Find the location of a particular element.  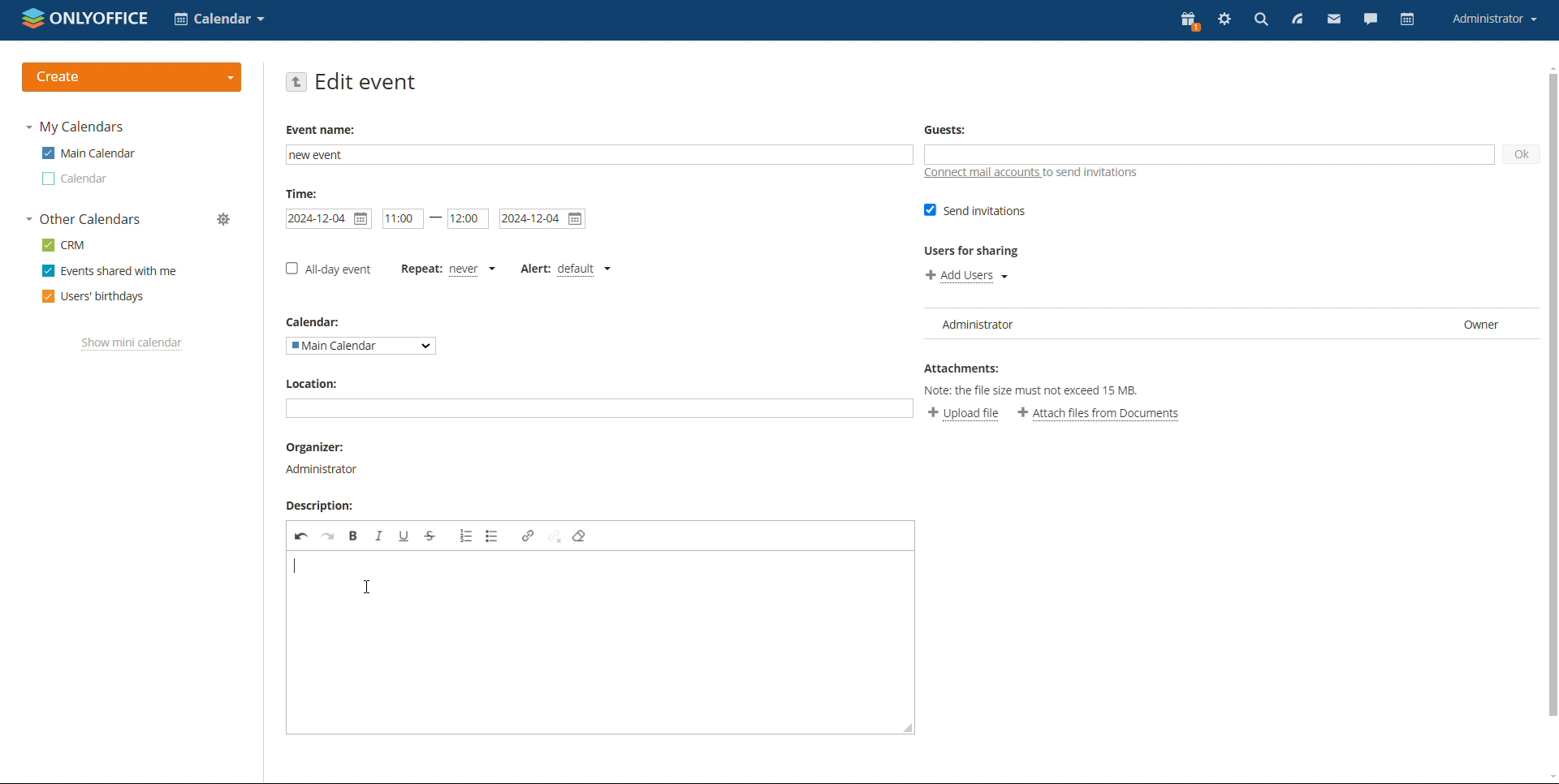

Guests: is located at coordinates (946, 128).